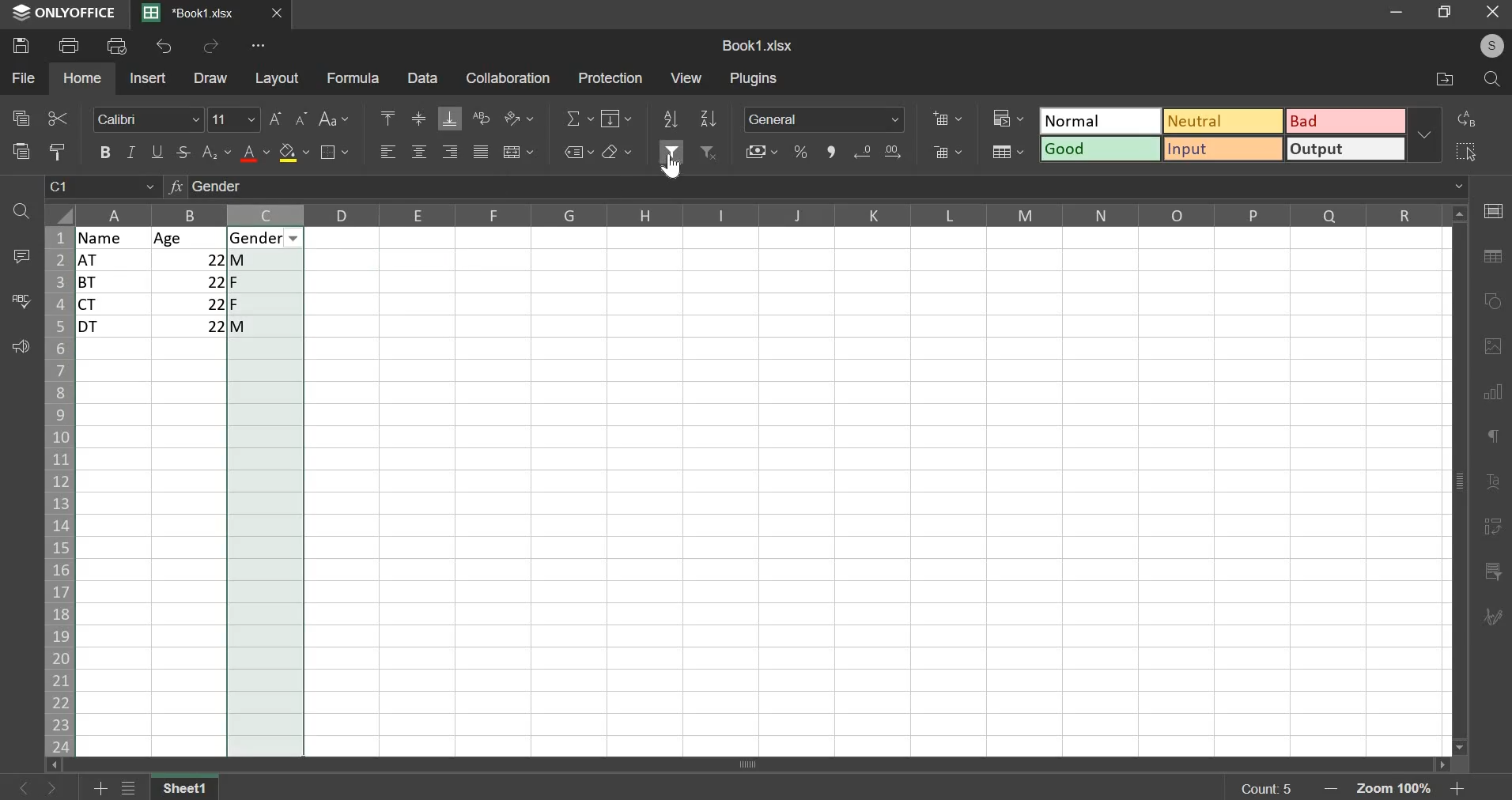 The height and width of the screenshot is (800, 1512). Describe the element at coordinates (1490, 349) in the screenshot. I see `image or video` at that location.